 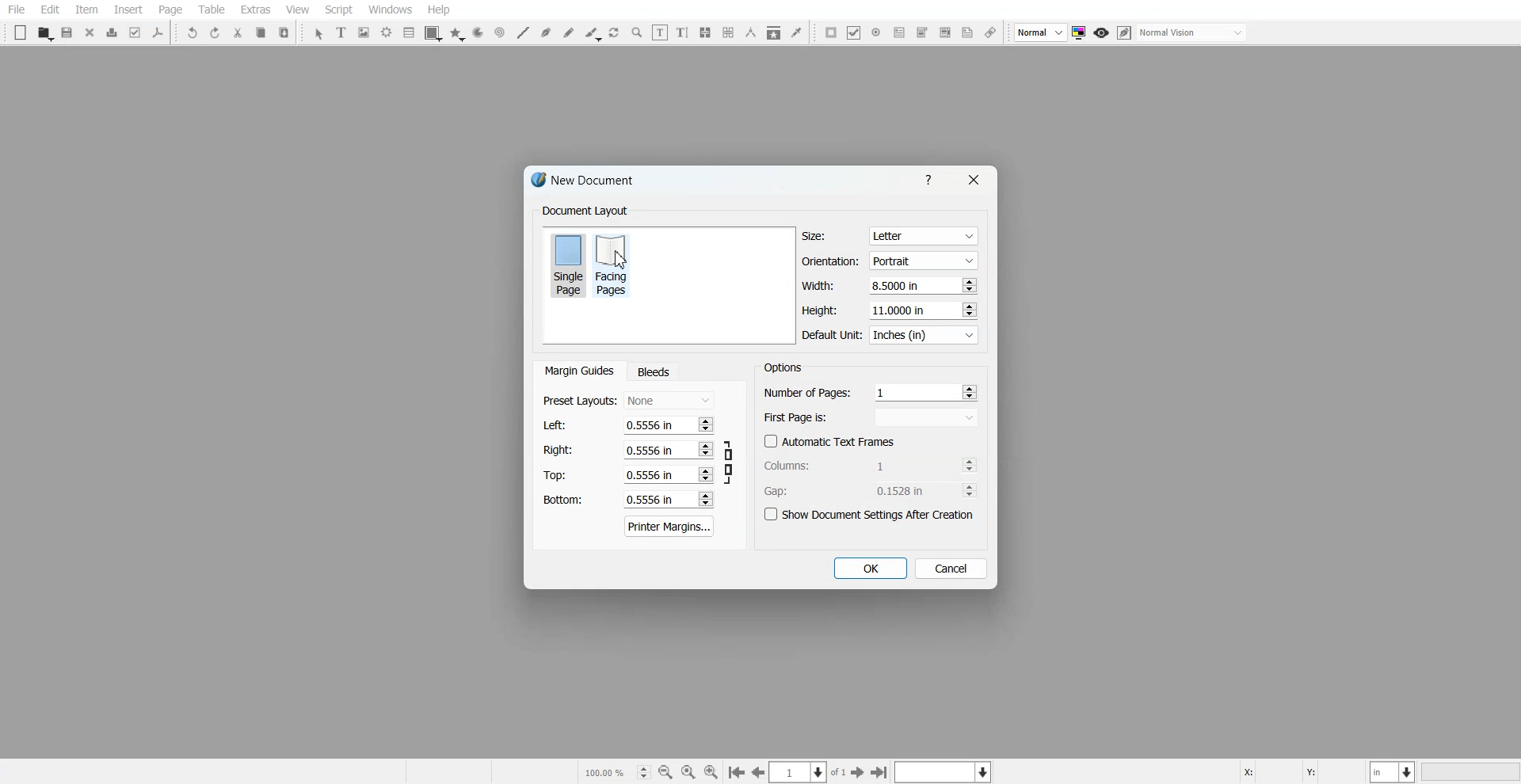 What do you see at coordinates (637, 32) in the screenshot?
I see `Zoom in or Out` at bounding box center [637, 32].